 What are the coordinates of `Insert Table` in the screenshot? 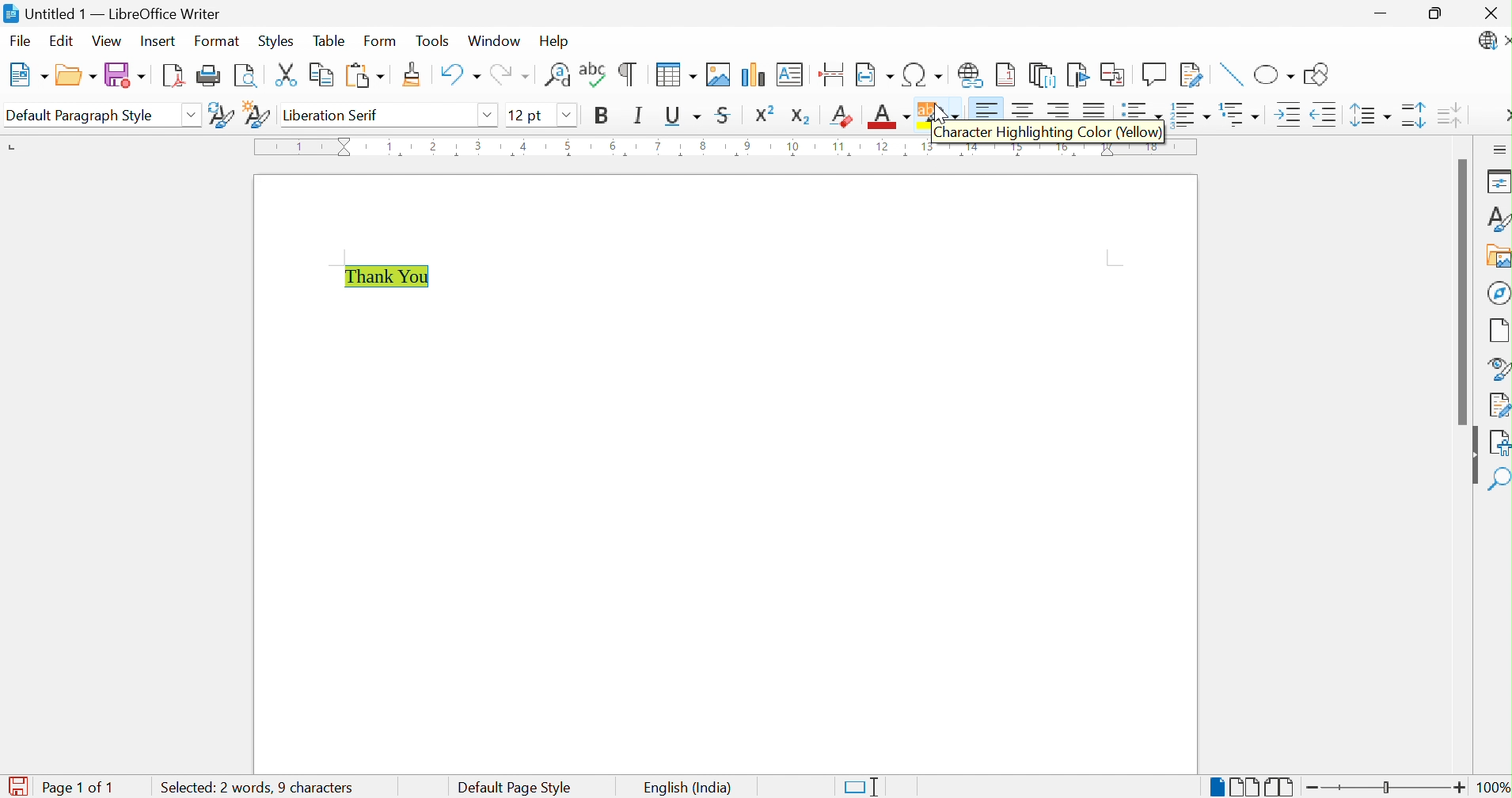 It's located at (674, 74).